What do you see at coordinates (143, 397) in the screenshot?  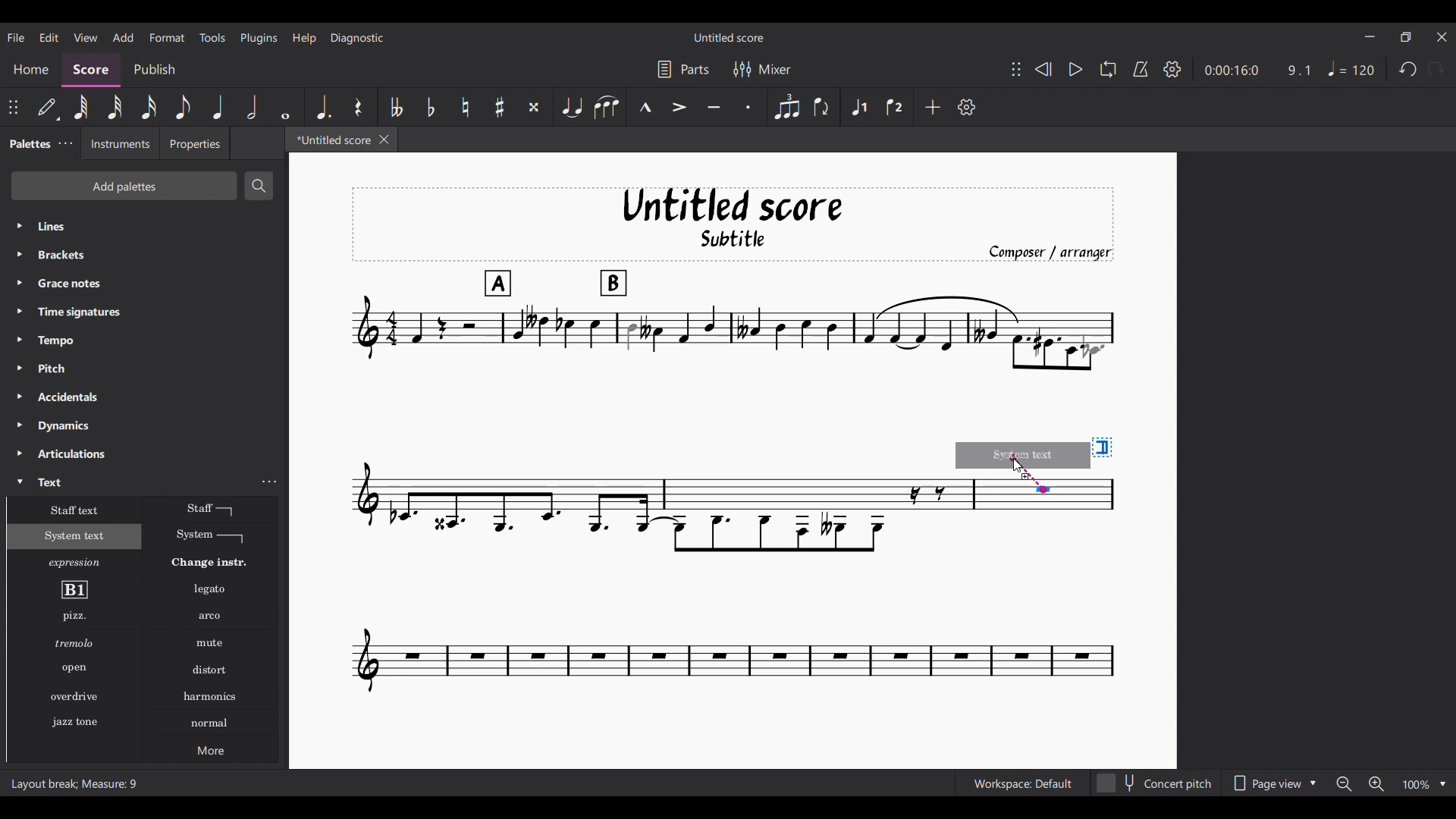 I see `Accidentals` at bounding box center [143, 397].